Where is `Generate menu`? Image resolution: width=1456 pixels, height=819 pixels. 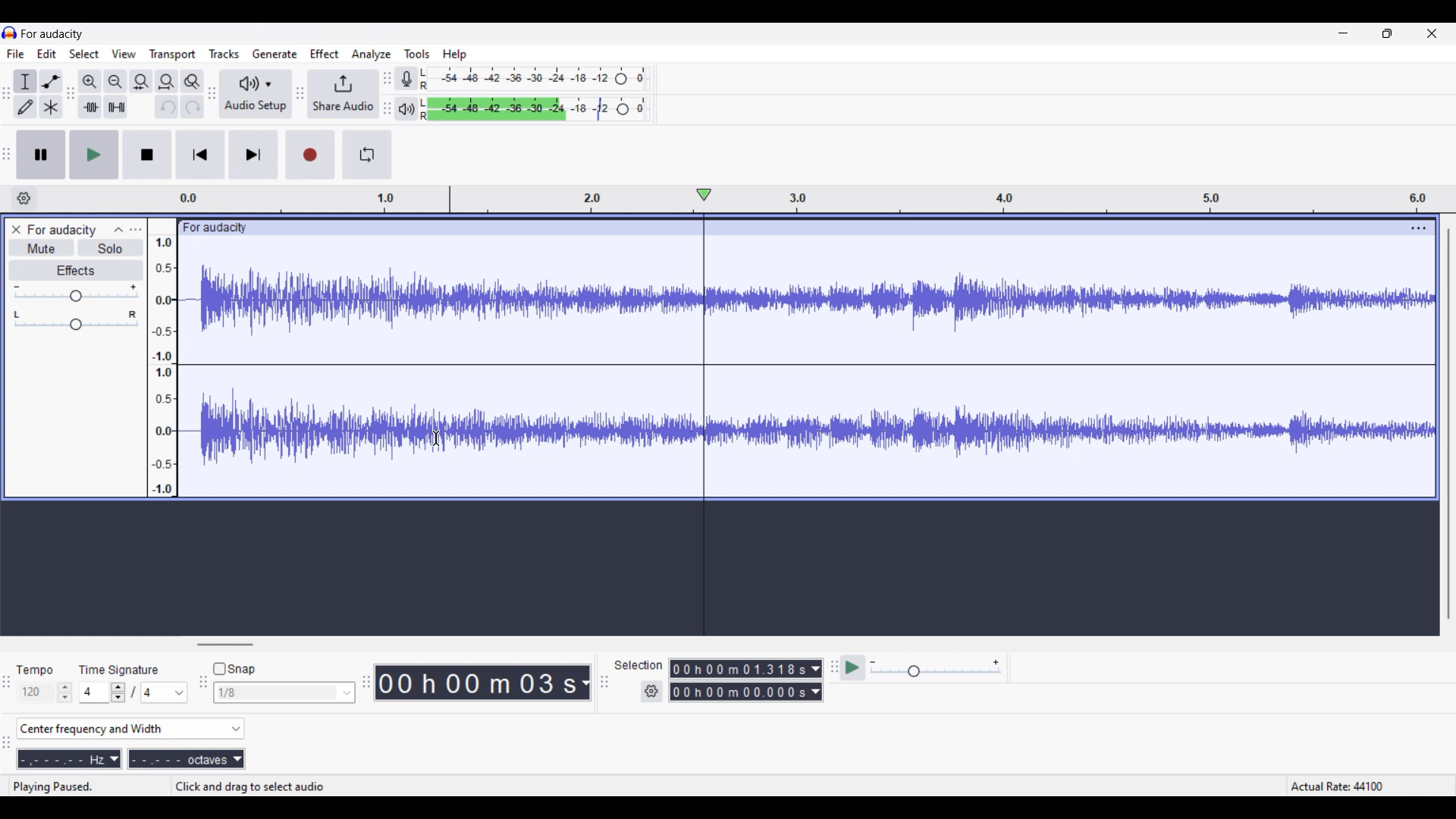
Generate menu is located at coordinates (275, 53).